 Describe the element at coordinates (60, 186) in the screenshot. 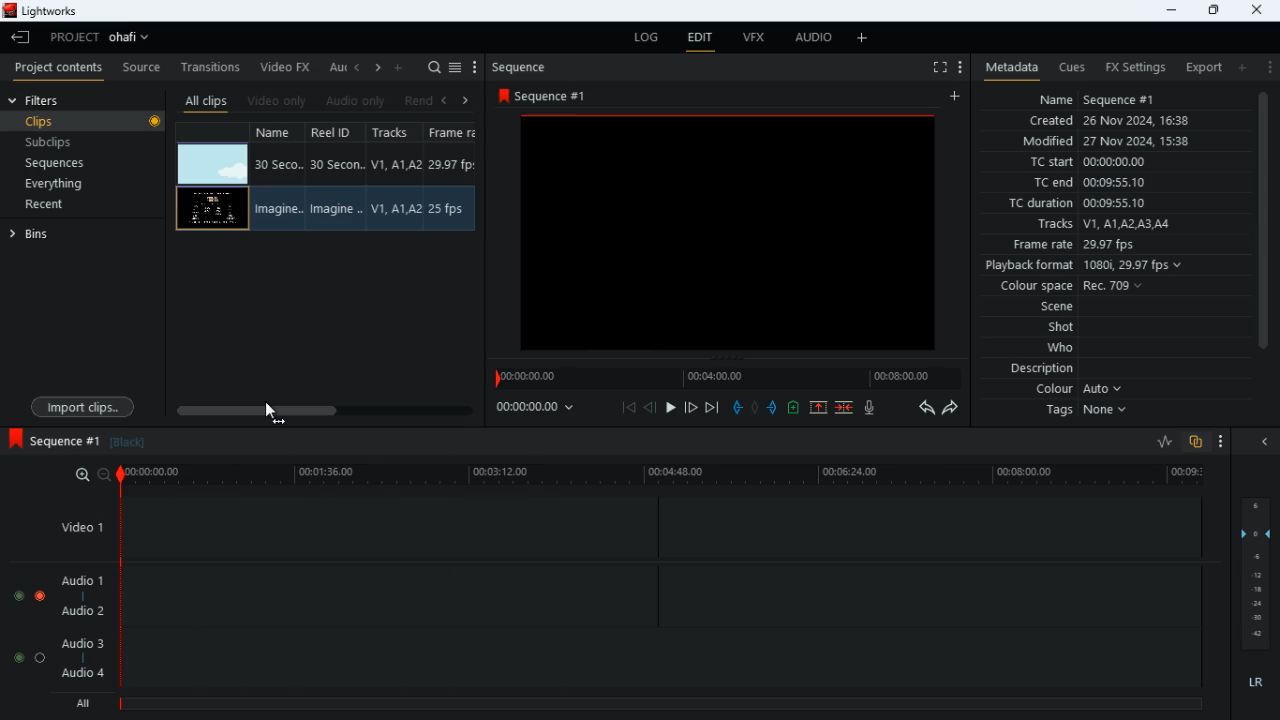

I see `everything` at that location.